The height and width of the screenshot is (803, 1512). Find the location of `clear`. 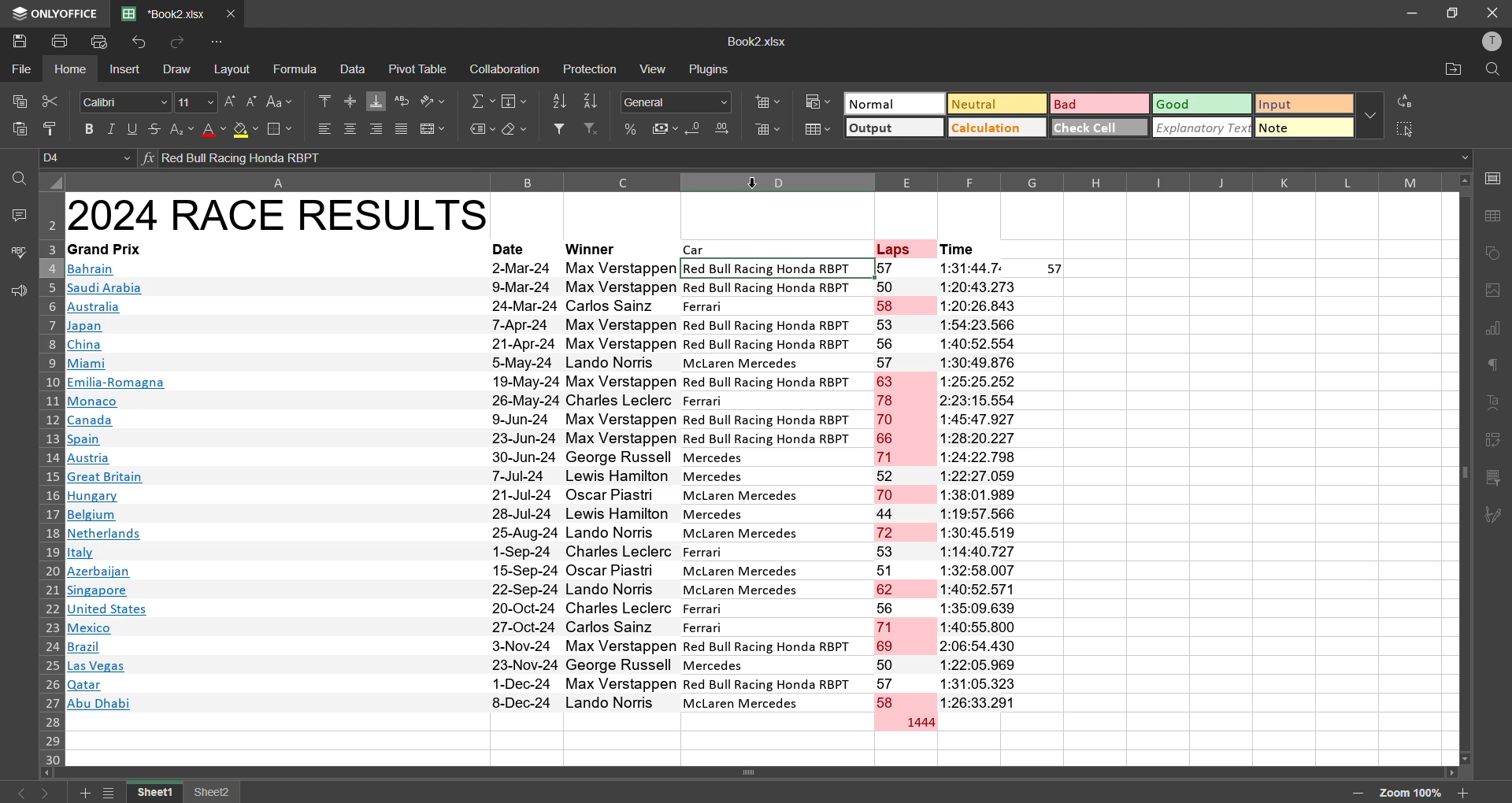

clear is located at coordinates (515, 130).